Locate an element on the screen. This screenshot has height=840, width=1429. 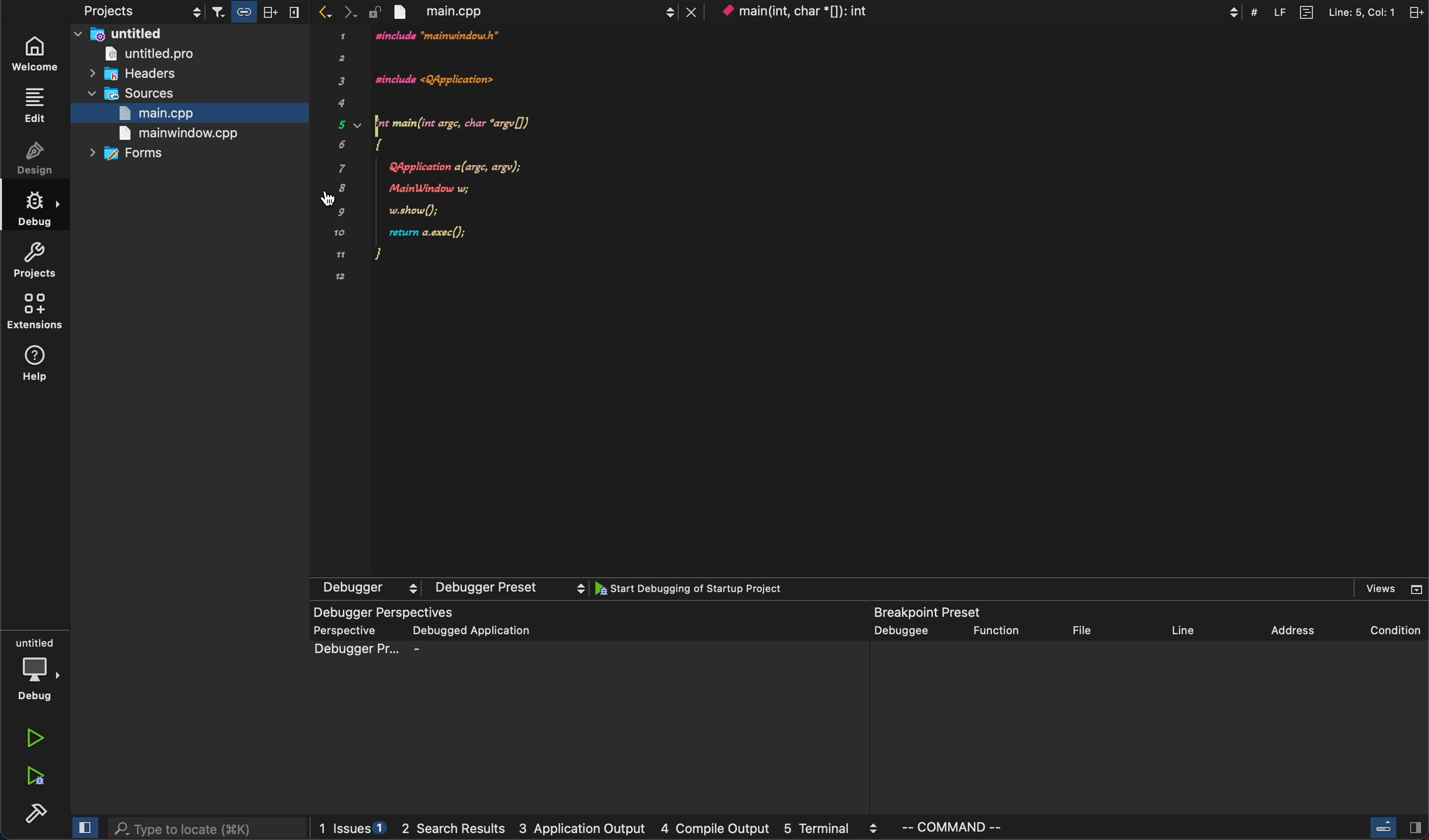
start debugging is located at coordinates (707, 591).